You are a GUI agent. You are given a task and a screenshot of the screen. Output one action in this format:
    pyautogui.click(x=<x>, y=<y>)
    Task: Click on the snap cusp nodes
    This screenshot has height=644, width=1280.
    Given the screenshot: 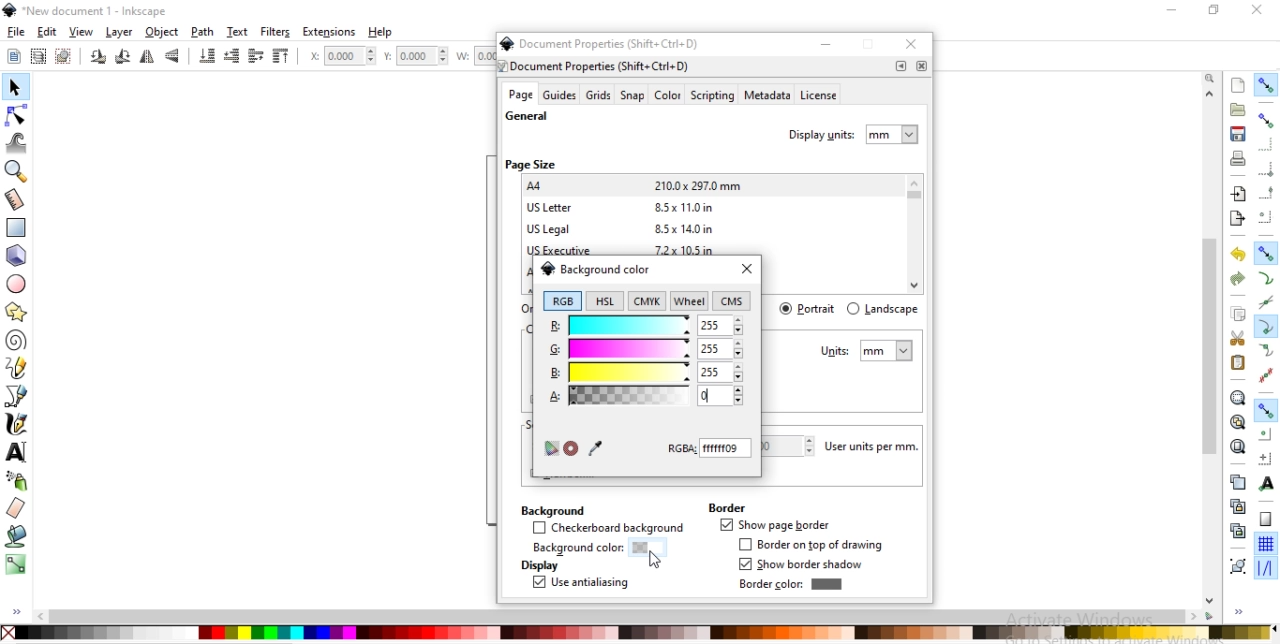 What is the action you would take?
    pyautogui.click(x=1265, y=328)
    